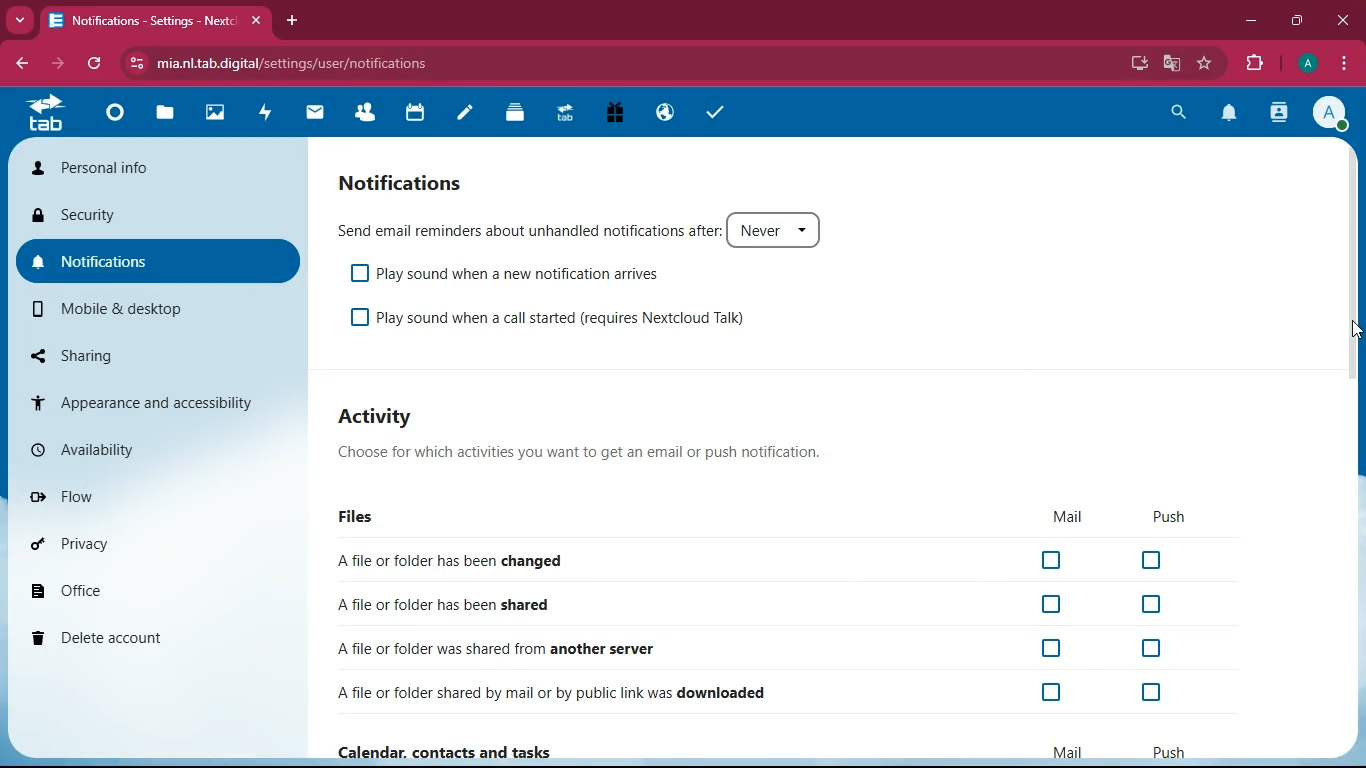 Image resolution: width=1366 pixels, height=768 pixels. I want to click on layers, so click(514, 113).